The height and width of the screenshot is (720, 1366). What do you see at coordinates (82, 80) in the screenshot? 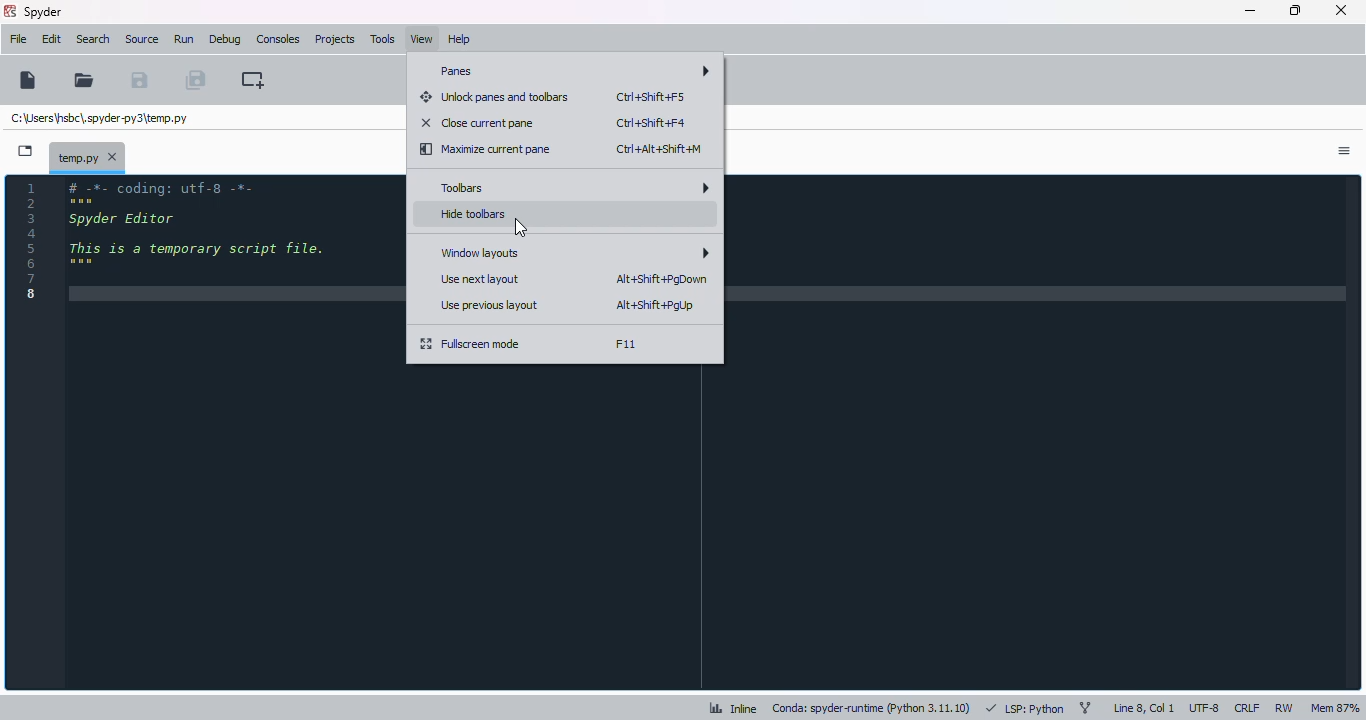
I see `open file` at bounding box center [82, 80].